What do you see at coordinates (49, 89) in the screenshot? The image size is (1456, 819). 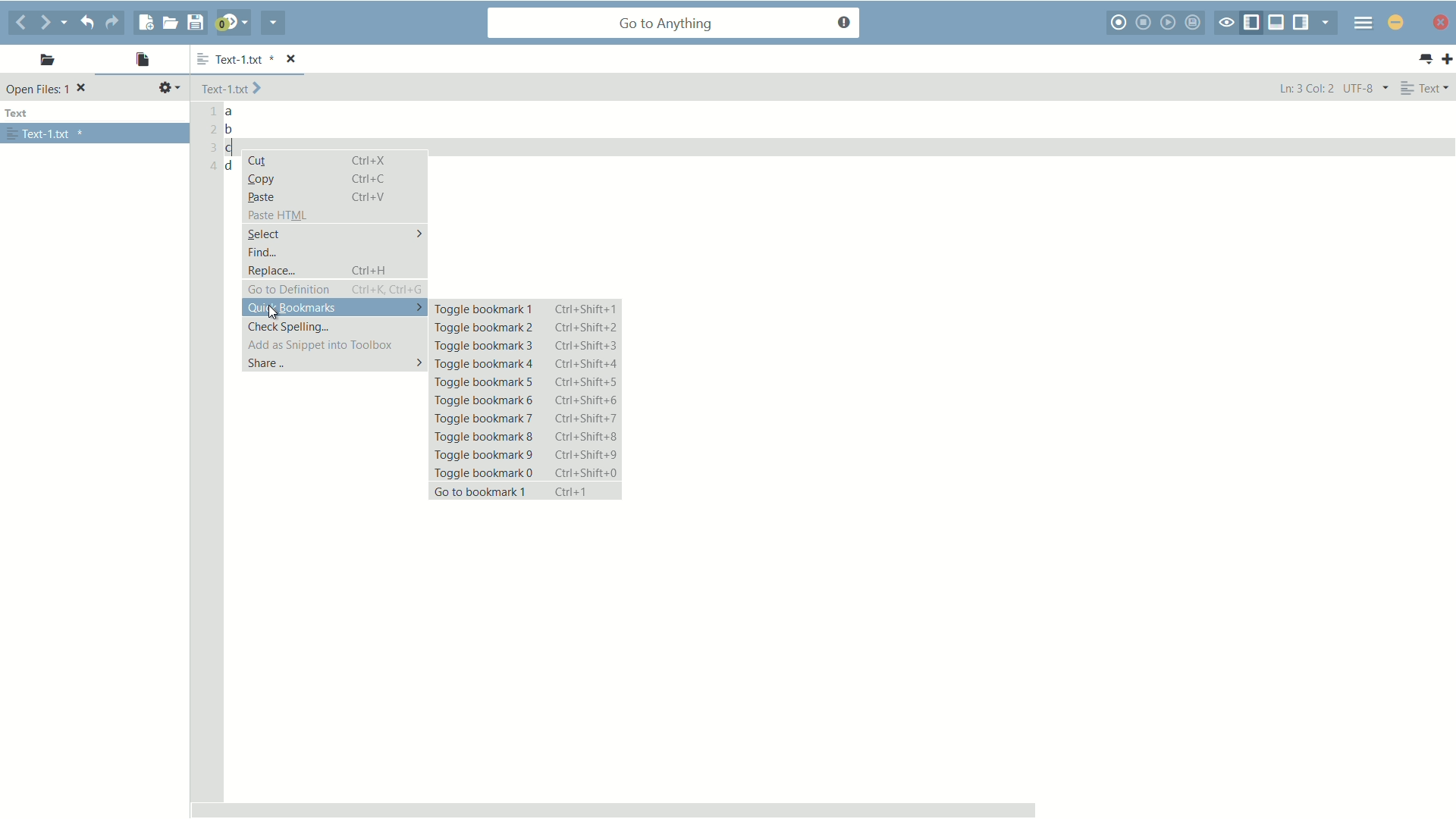 I see `Open files: 1` at bounding box center [49, 89].